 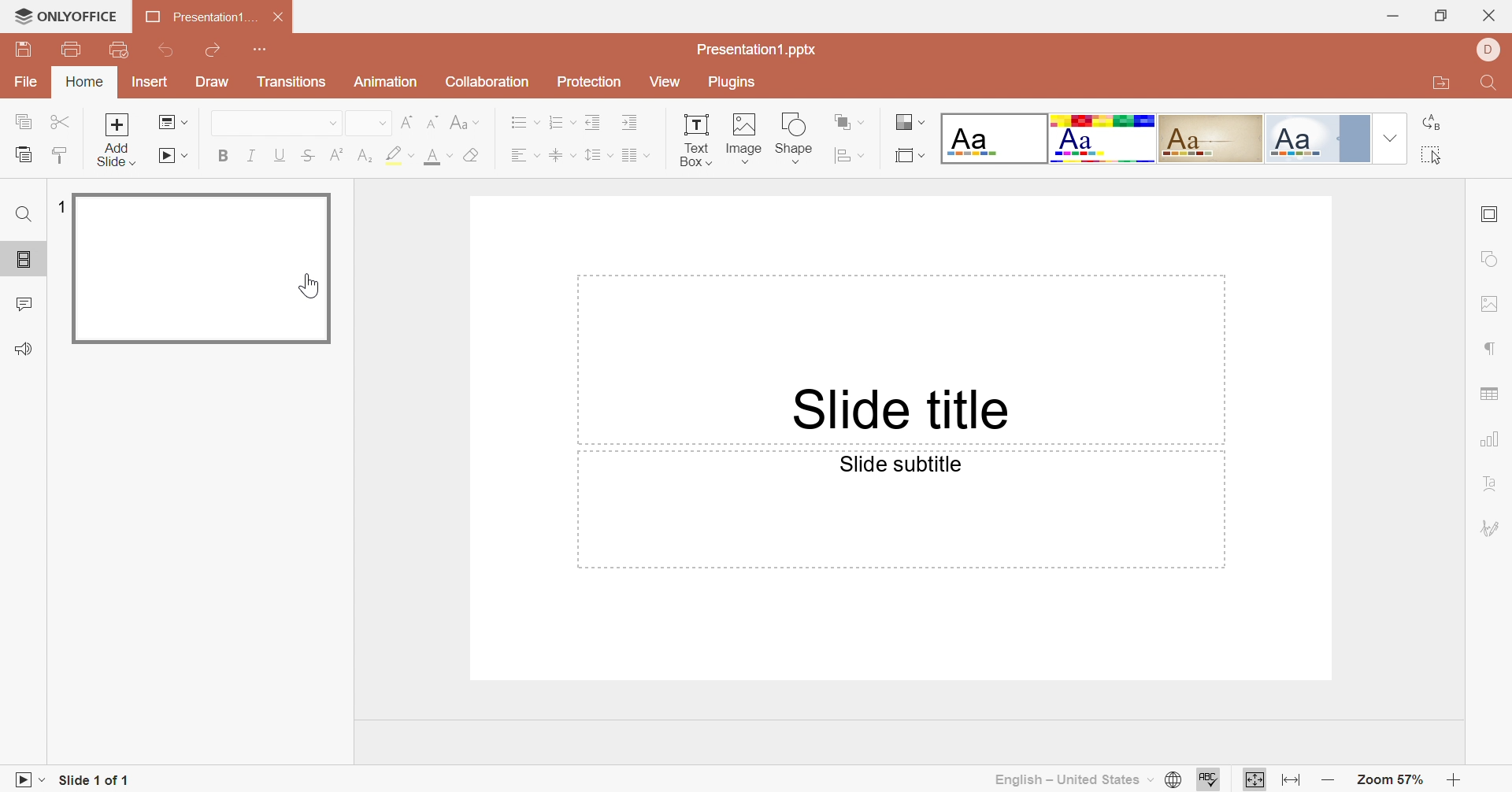 What do you see at coordinates (22, 304) in the screenshot?
I see `Comments` at bounding box center [22, 304].